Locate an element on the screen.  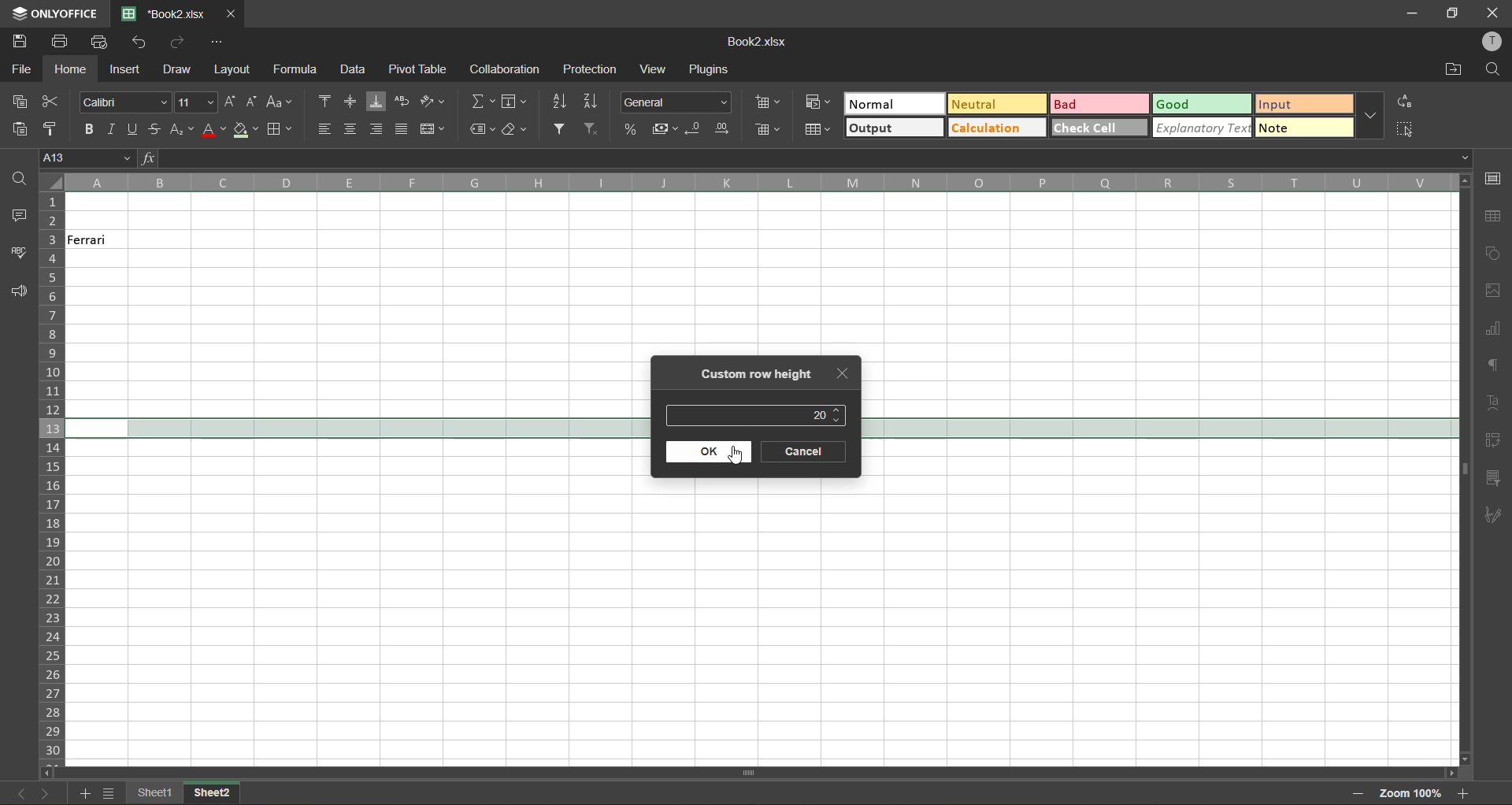
selected row is located at coordinates (357, 429).